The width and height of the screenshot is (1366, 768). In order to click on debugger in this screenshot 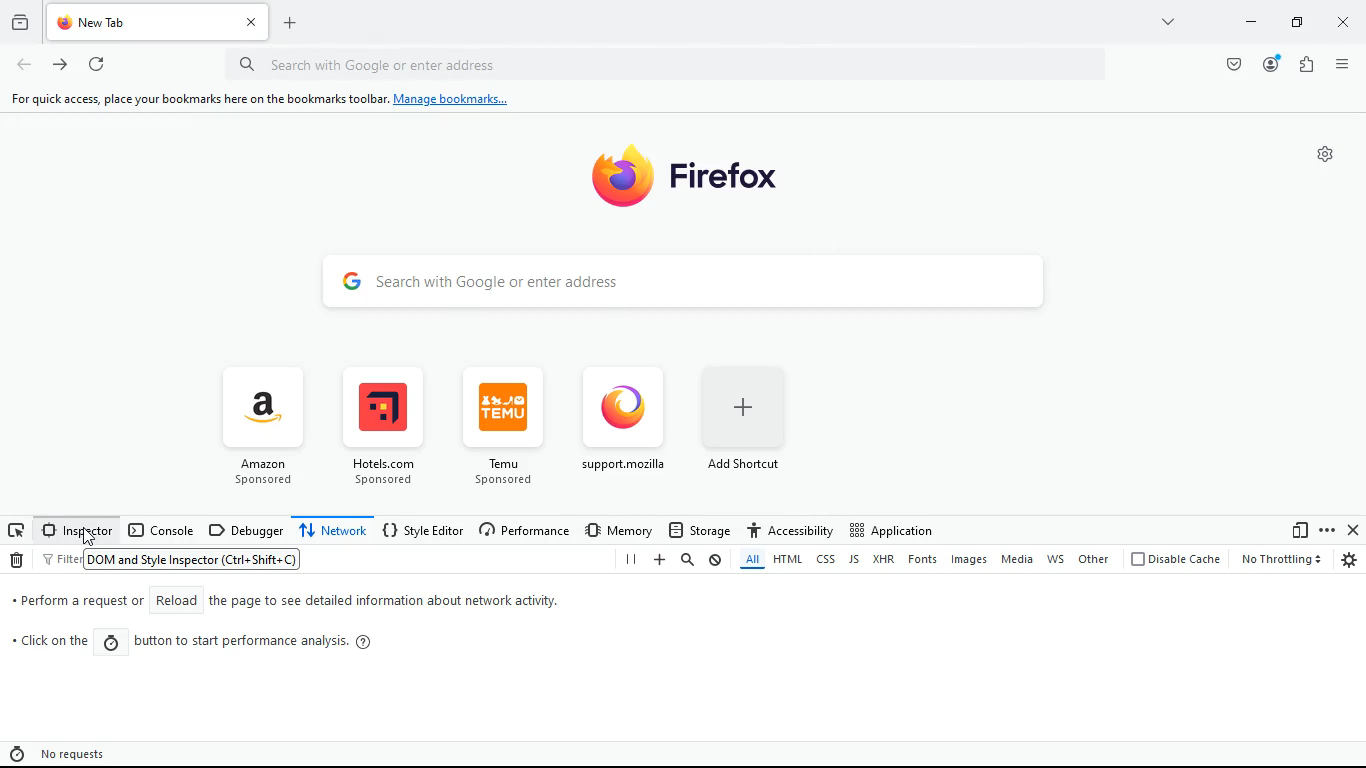, I will do `click(246, 530)`.